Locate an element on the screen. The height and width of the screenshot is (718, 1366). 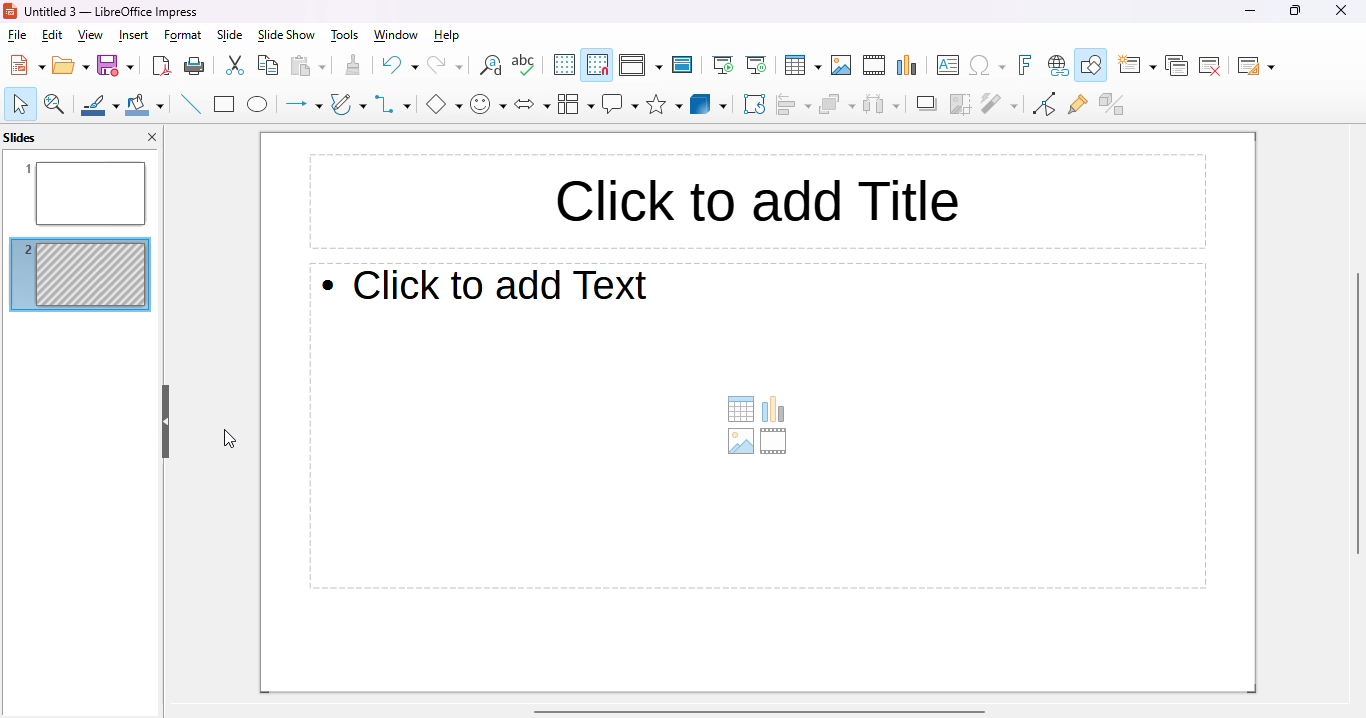
start from current slide is located at coordinates (756, 66).